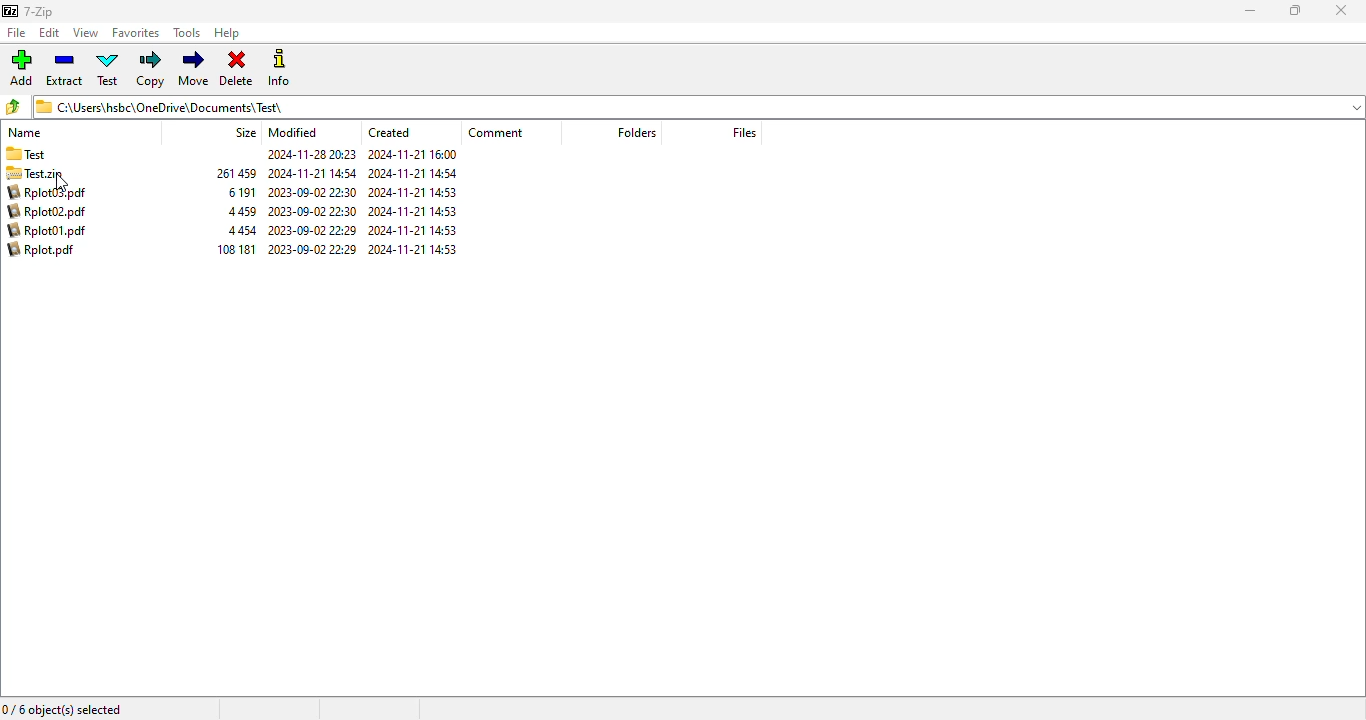  What do you see at coordinates (53, 212) in the screenshot?
I see `Rplot02.pdf 4459 2023-09-02 22:30 2024-11-21 14:53` at bounding box center [53, 212].